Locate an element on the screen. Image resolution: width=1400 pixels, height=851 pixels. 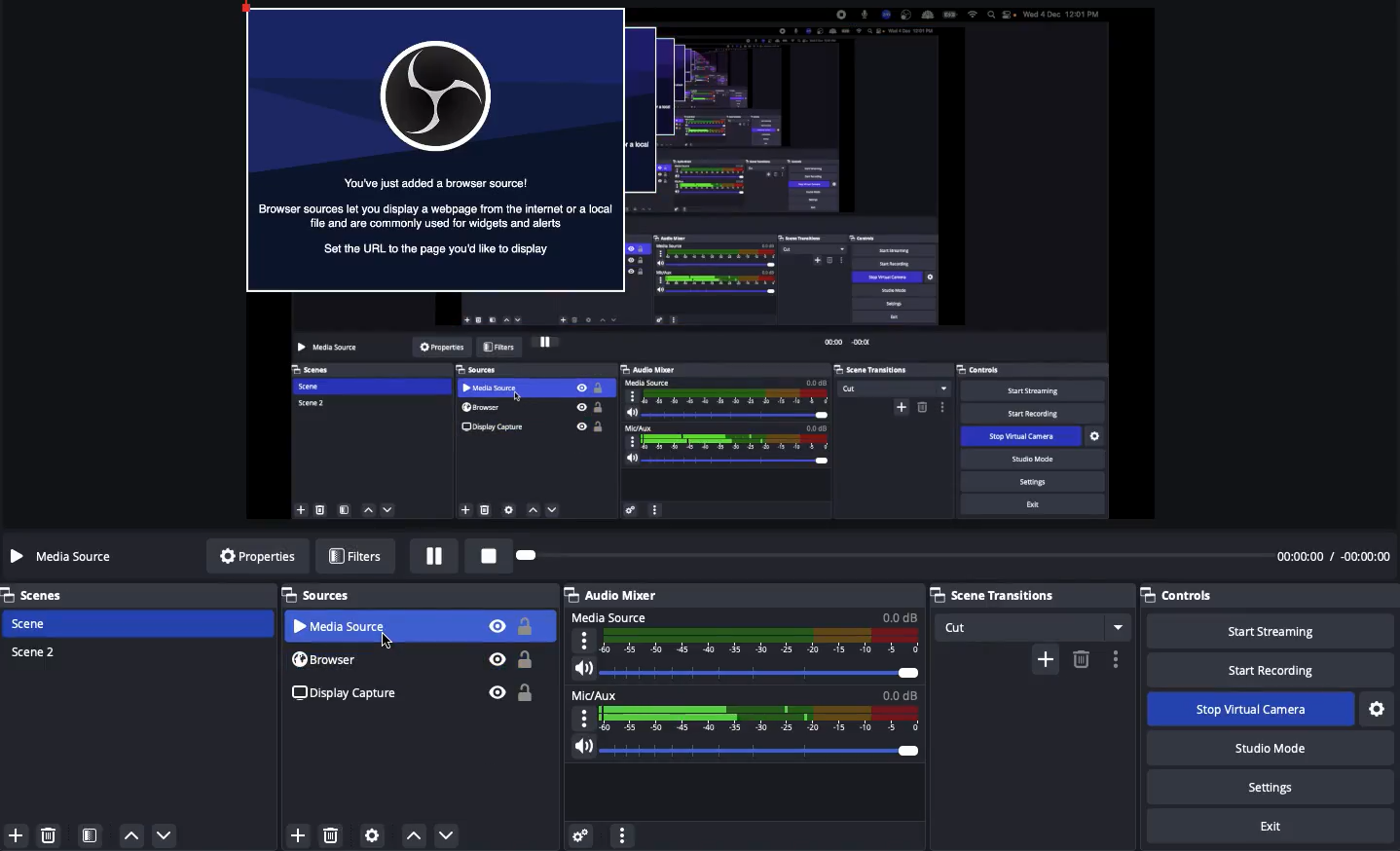
Delete is located at coordinates (335, 832).